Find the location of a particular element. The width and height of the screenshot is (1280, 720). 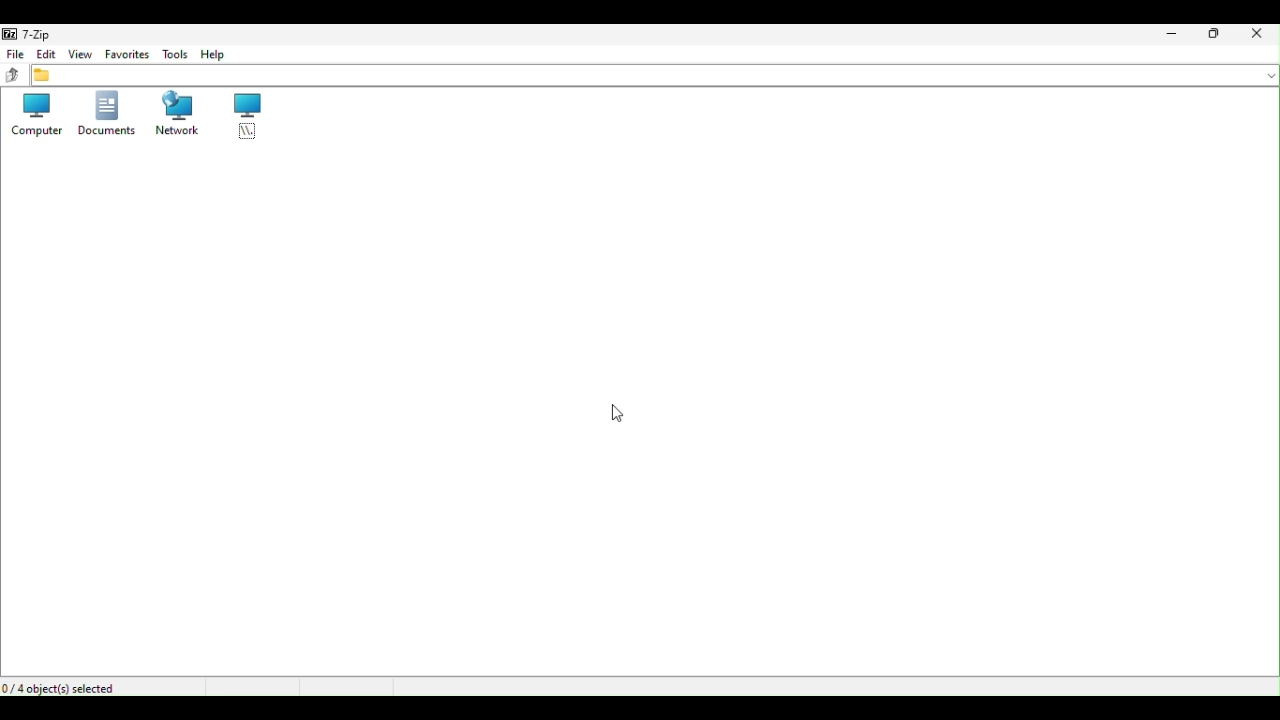

Help is located at coordinates (215, 57).